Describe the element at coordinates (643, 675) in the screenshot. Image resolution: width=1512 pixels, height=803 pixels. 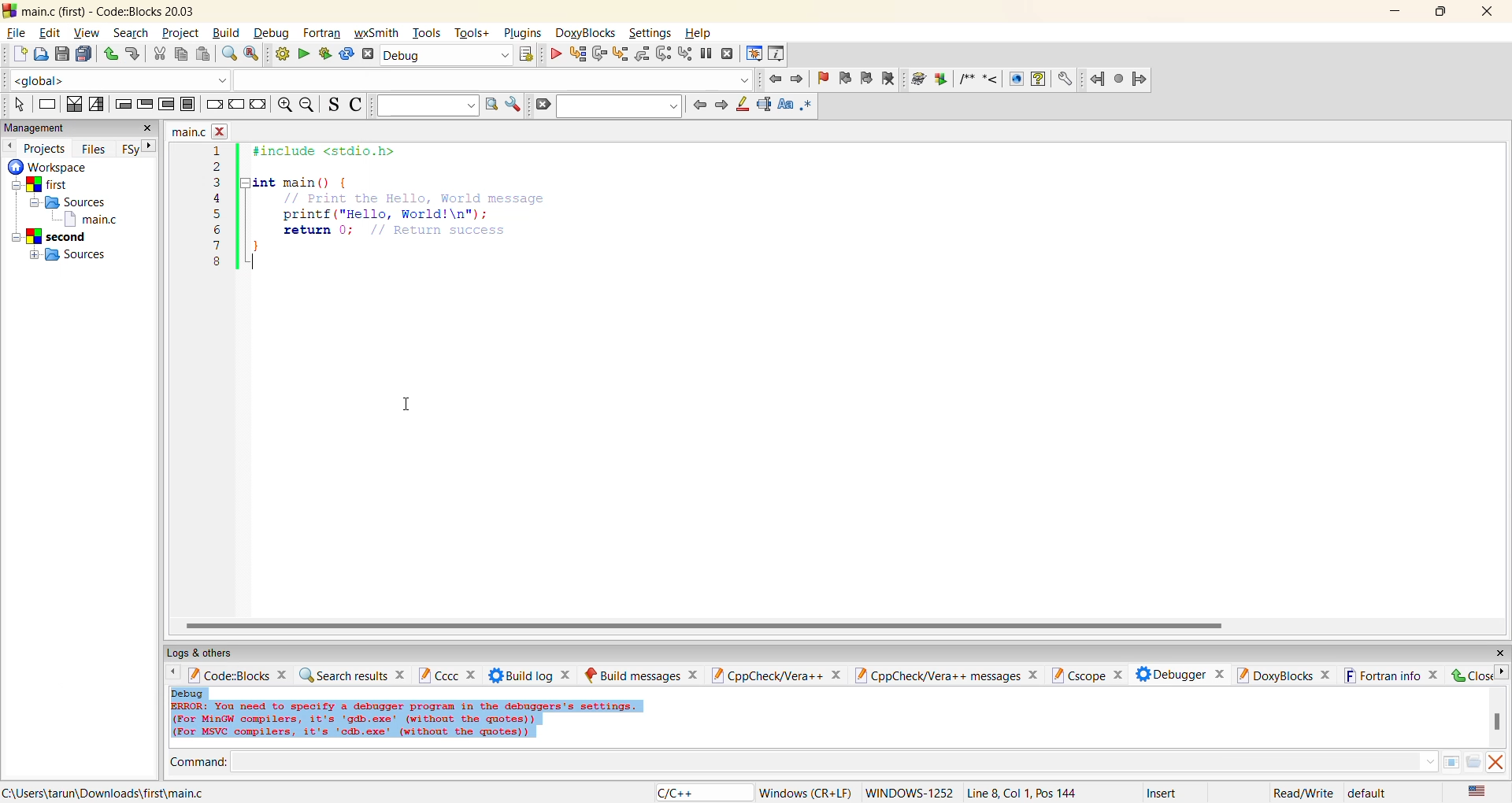
I see `build messages` at that location.